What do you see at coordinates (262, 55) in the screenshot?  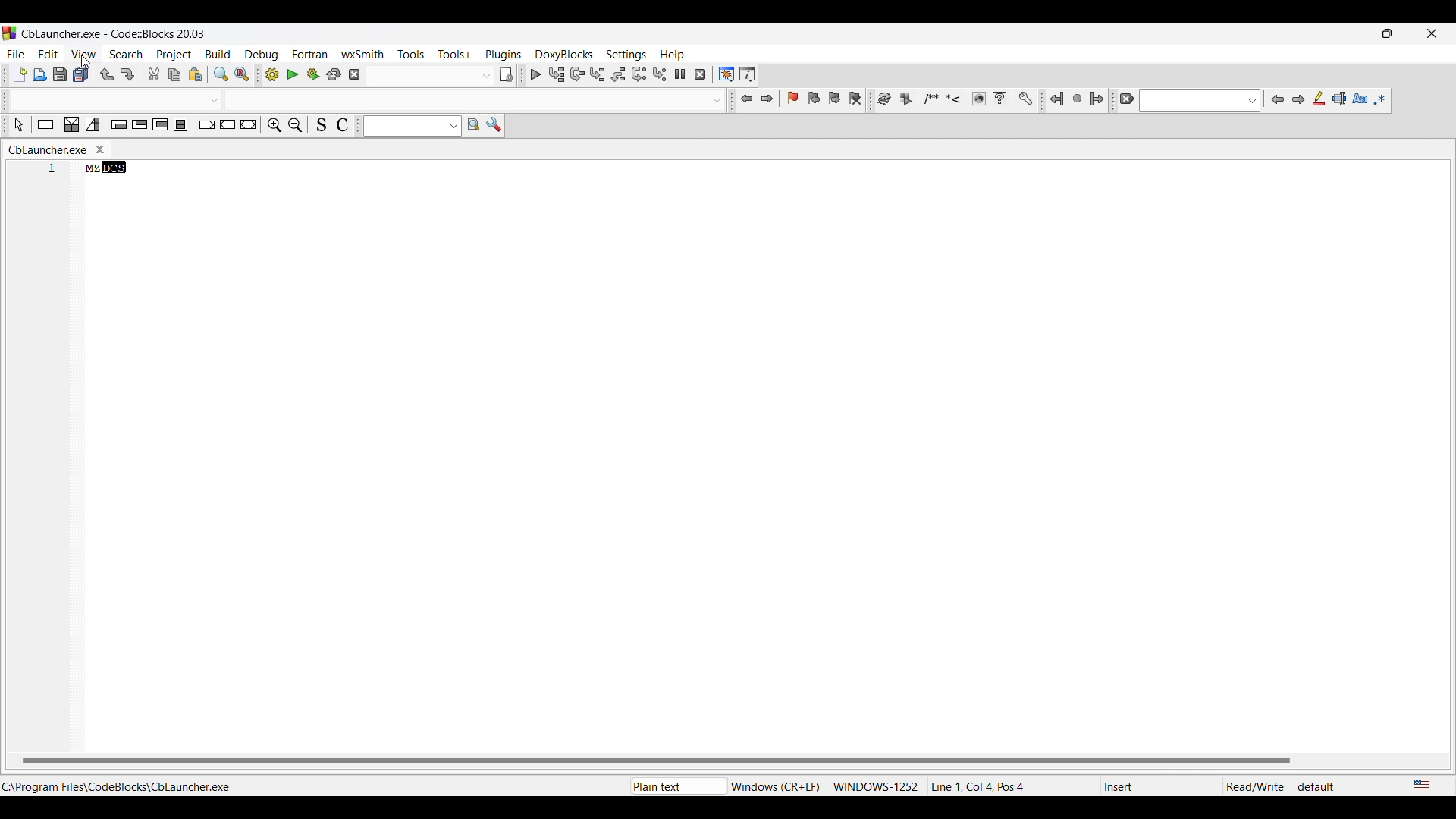 I see `Debug menu` at bounding box center [262, 55].